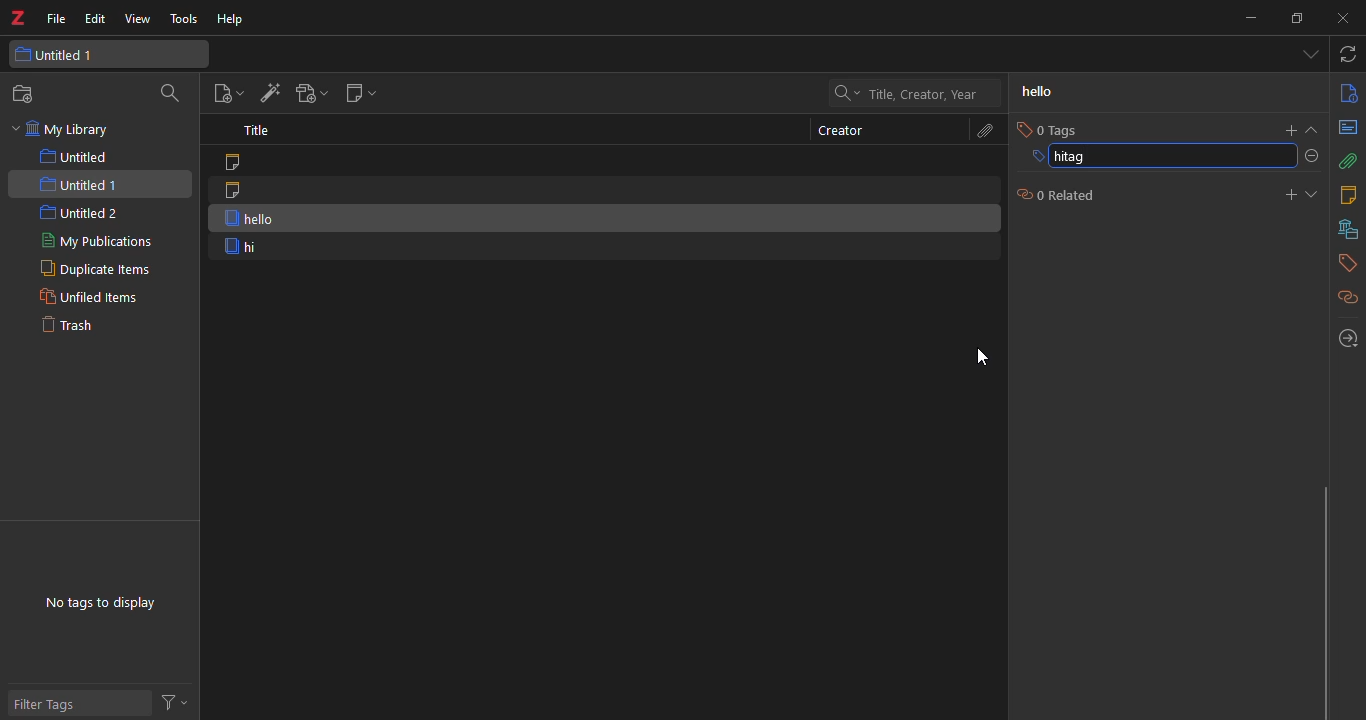 The image size is (1366, 720). What do you see at coordinates (1345, 336) in the screenshot?
I see `locate` at bounding box center [1345, 336].